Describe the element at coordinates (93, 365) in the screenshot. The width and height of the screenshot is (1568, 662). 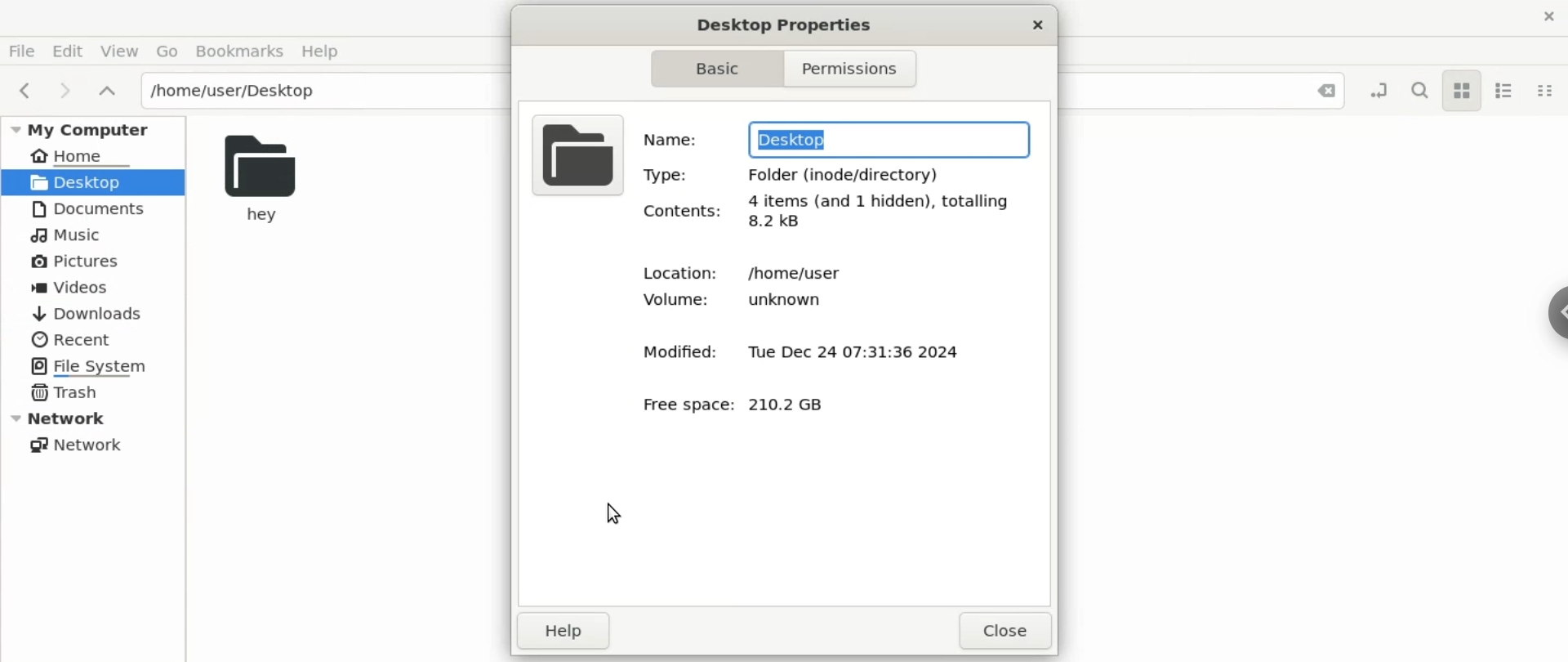
I see `file system` at that location.